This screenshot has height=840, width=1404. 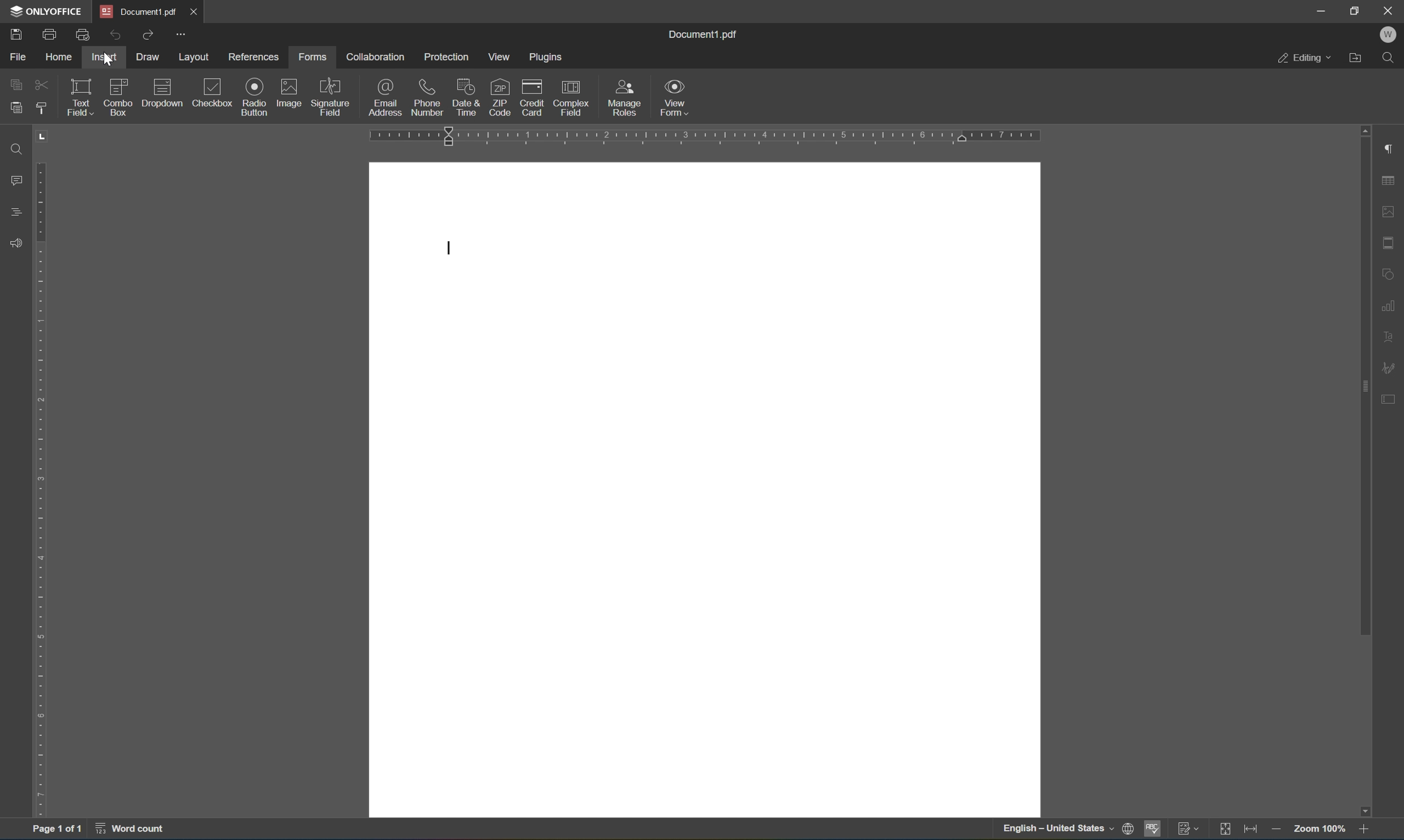 What do you see at coordinates (181, 33) in the screenshot?
I see `More` at bounding box center [181, 33].